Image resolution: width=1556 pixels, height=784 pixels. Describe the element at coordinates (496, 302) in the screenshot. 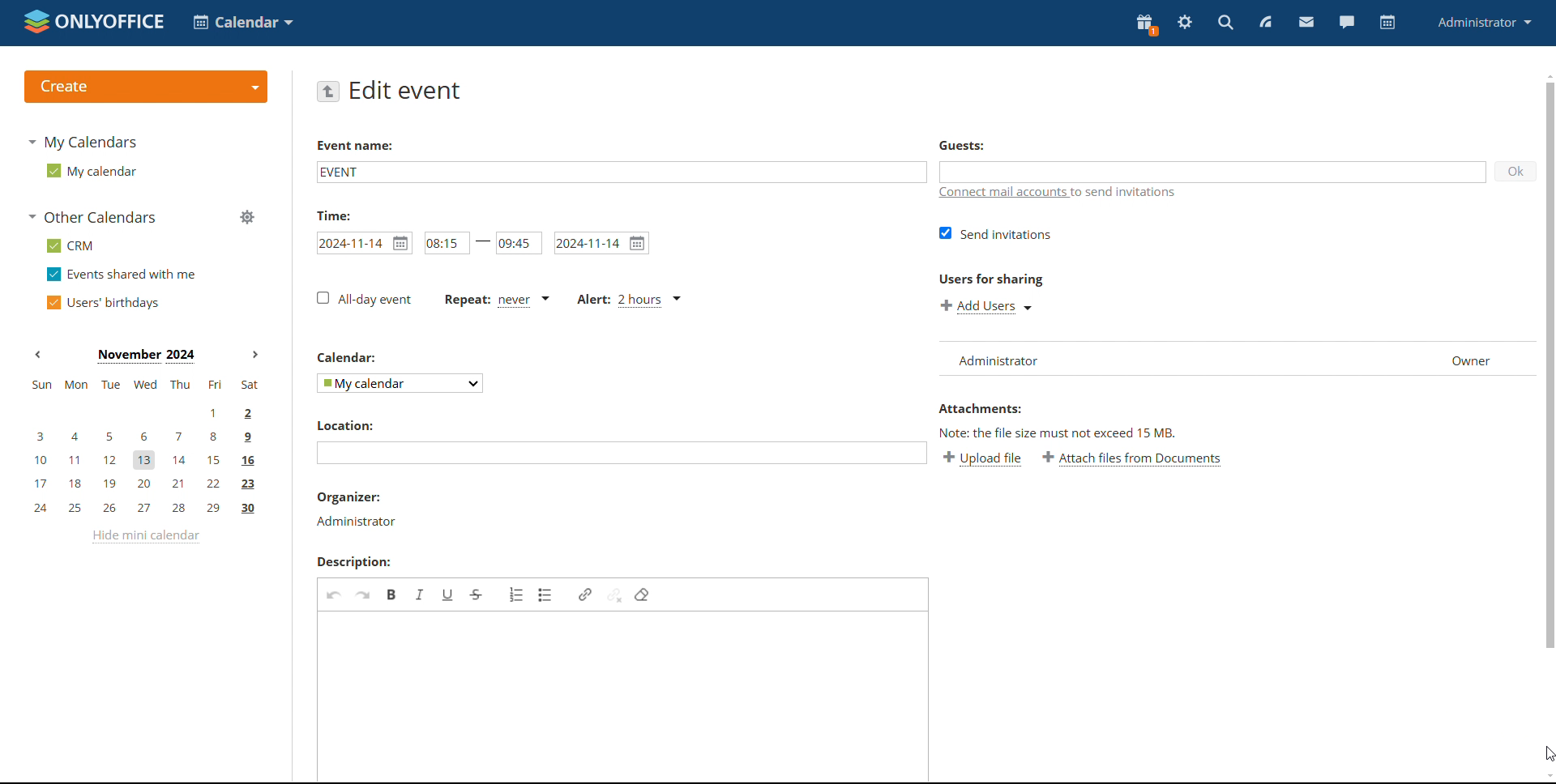

I see `event repetition` at that location.